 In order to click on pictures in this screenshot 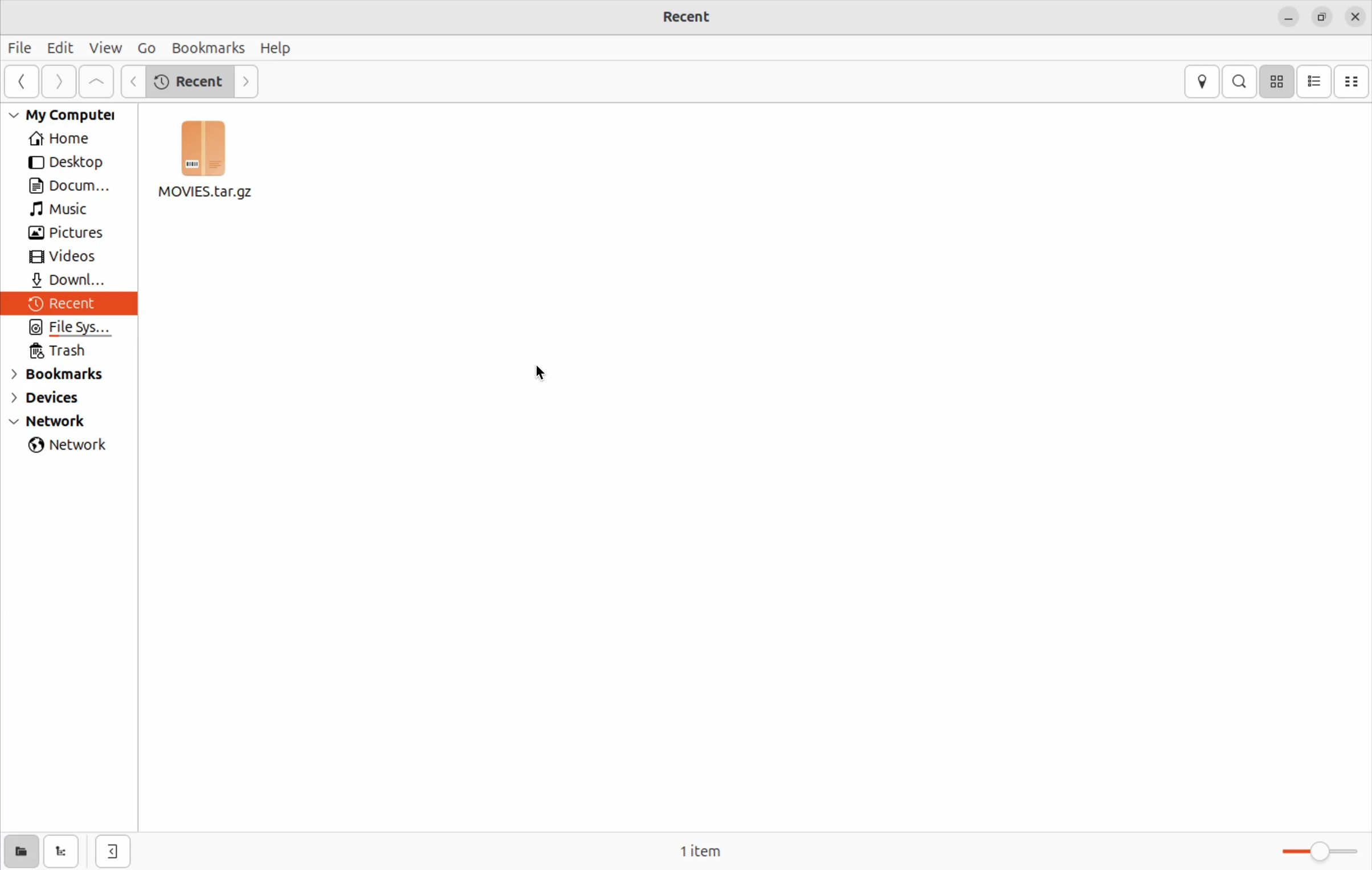, I will do `click(68, 234)`.